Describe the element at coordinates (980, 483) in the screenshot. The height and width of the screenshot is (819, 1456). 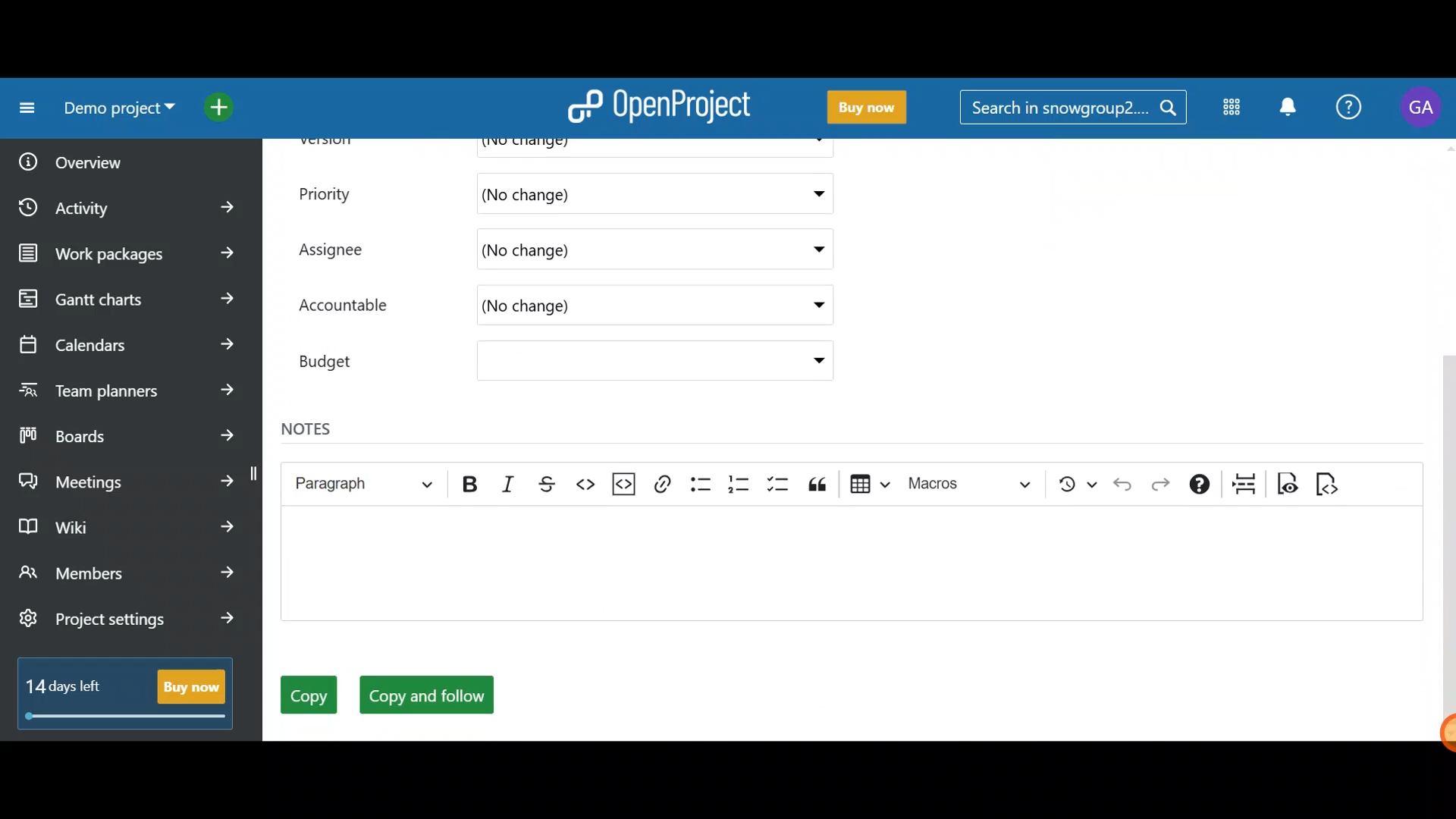
I see `Choose macro` at that location.